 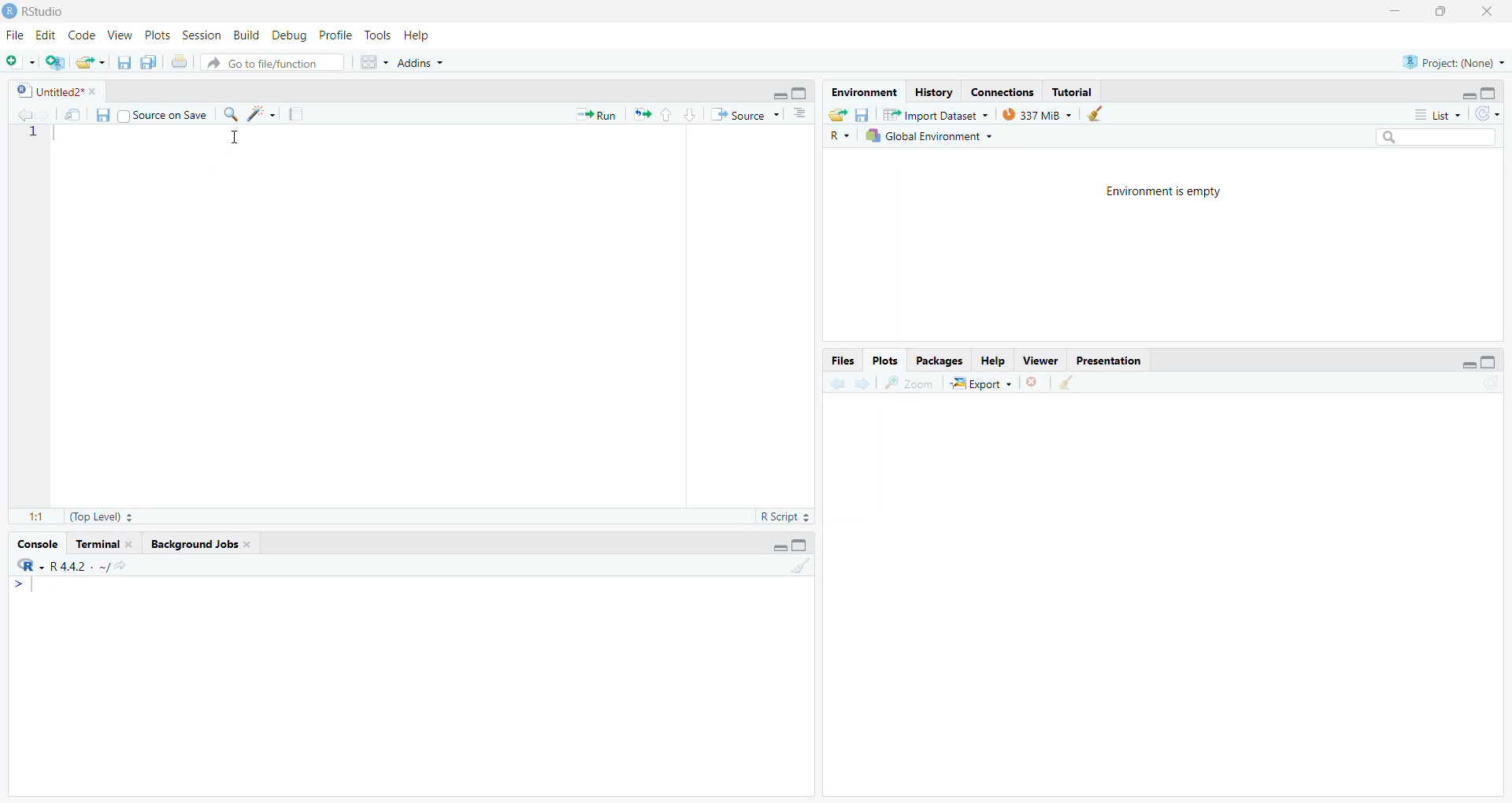 What do you see at coordinates (1077, 92) in the screenshot?
I see `Tutorial` at bounding box center [1077, 92].